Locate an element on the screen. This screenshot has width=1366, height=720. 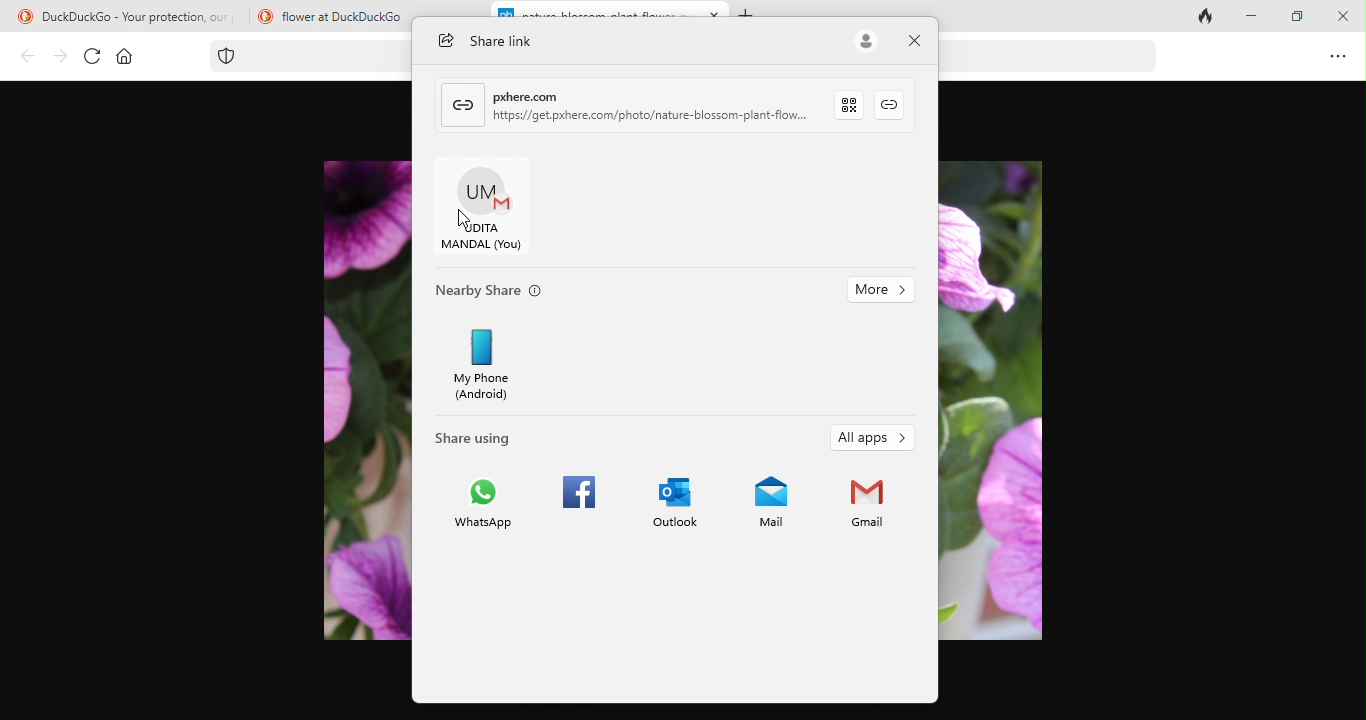
nearby share is located at coordinates (501, 293).